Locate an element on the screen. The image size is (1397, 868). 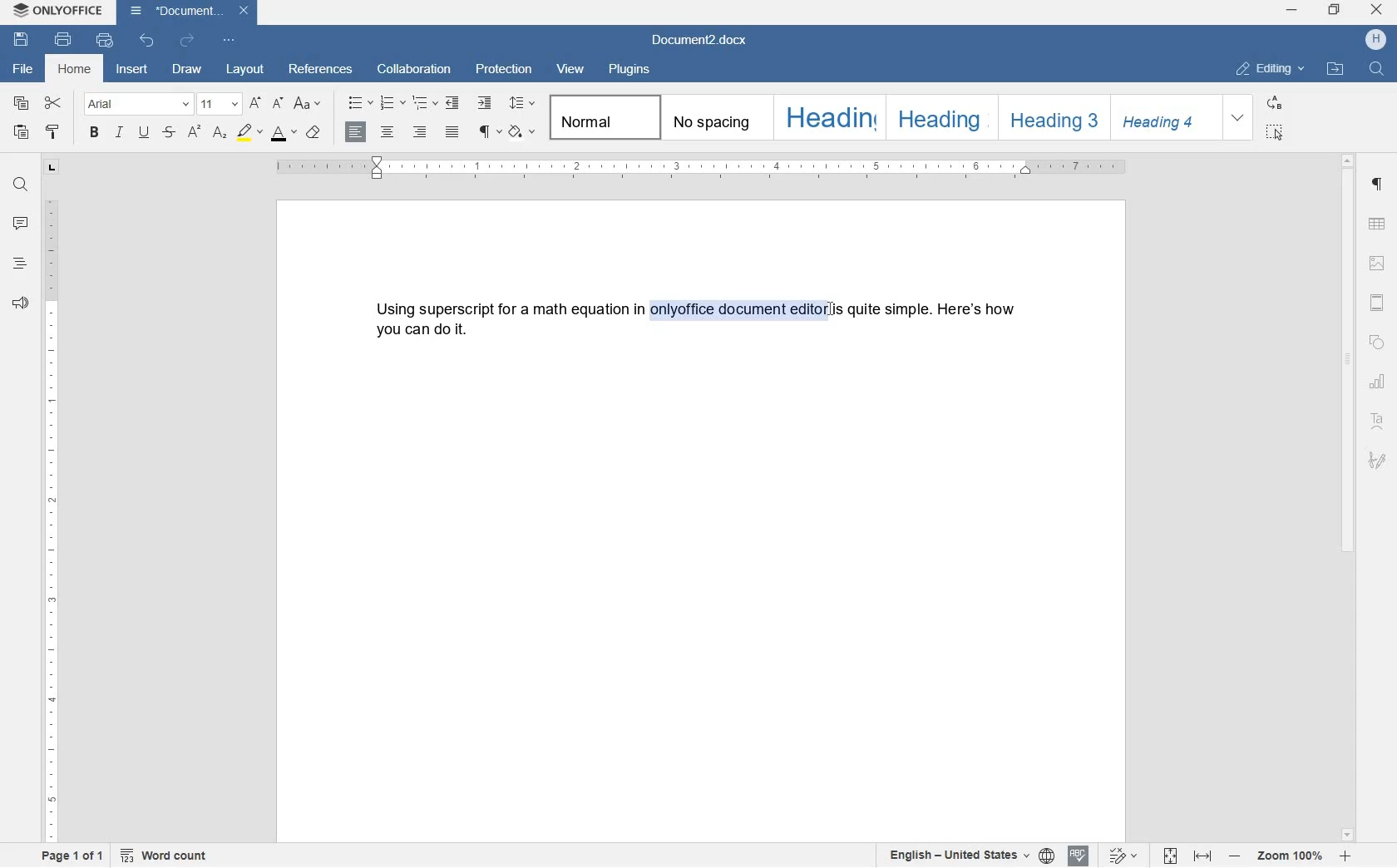
plugins is located at coordinates (631, 70).